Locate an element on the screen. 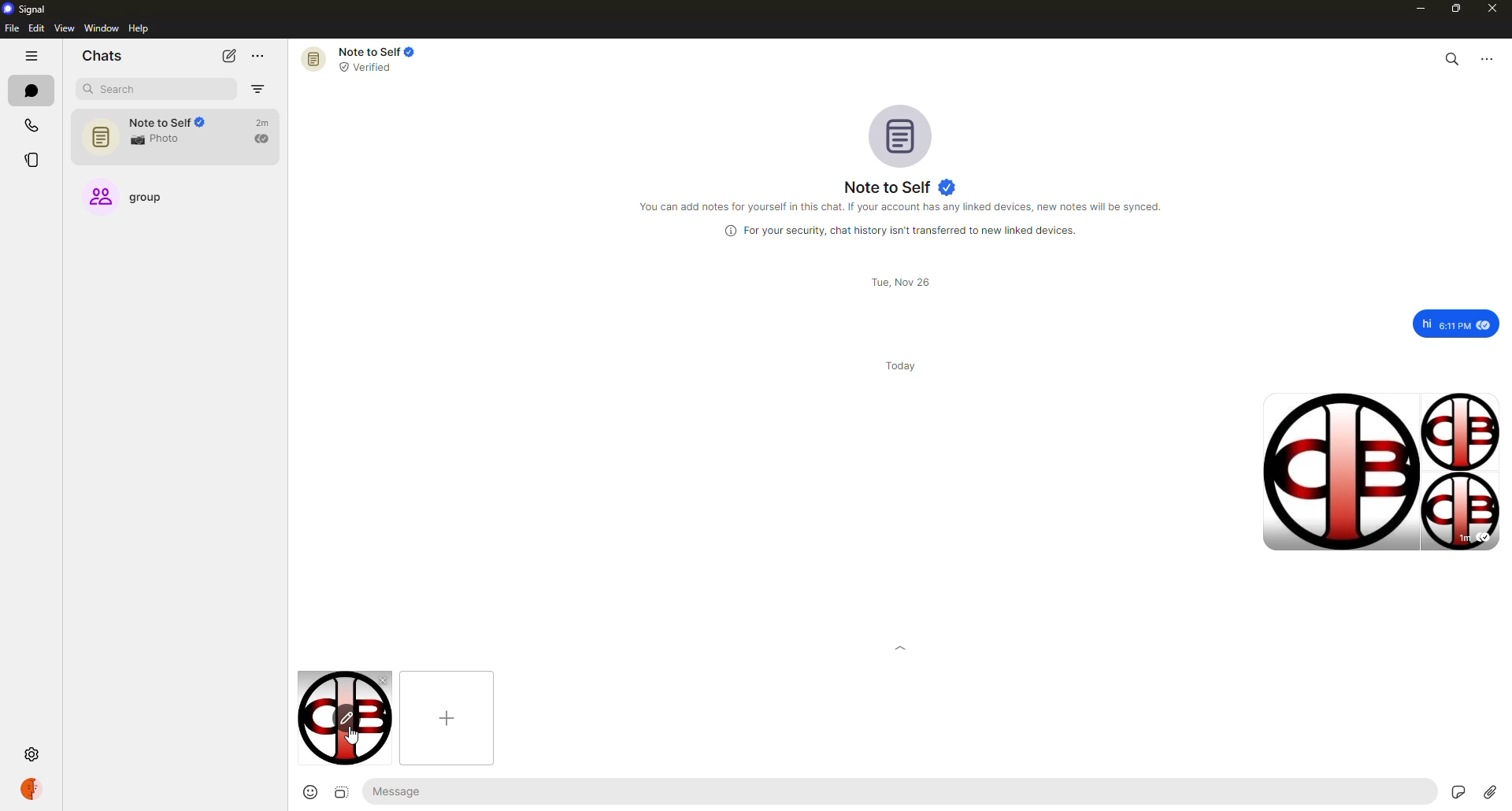 The height and width of the screenshot is (811, 1512). help is located at coordinates (139, 28).